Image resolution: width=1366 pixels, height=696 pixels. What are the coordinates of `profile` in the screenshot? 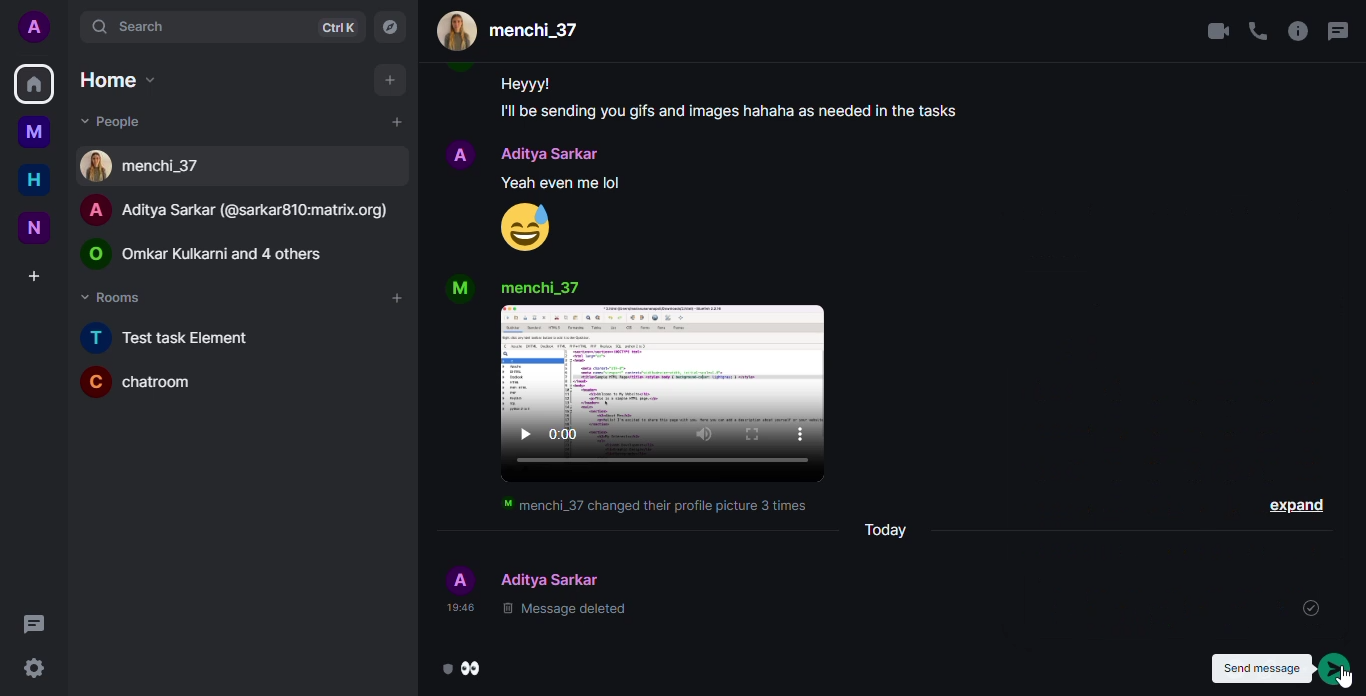 It's located at (456, 577).